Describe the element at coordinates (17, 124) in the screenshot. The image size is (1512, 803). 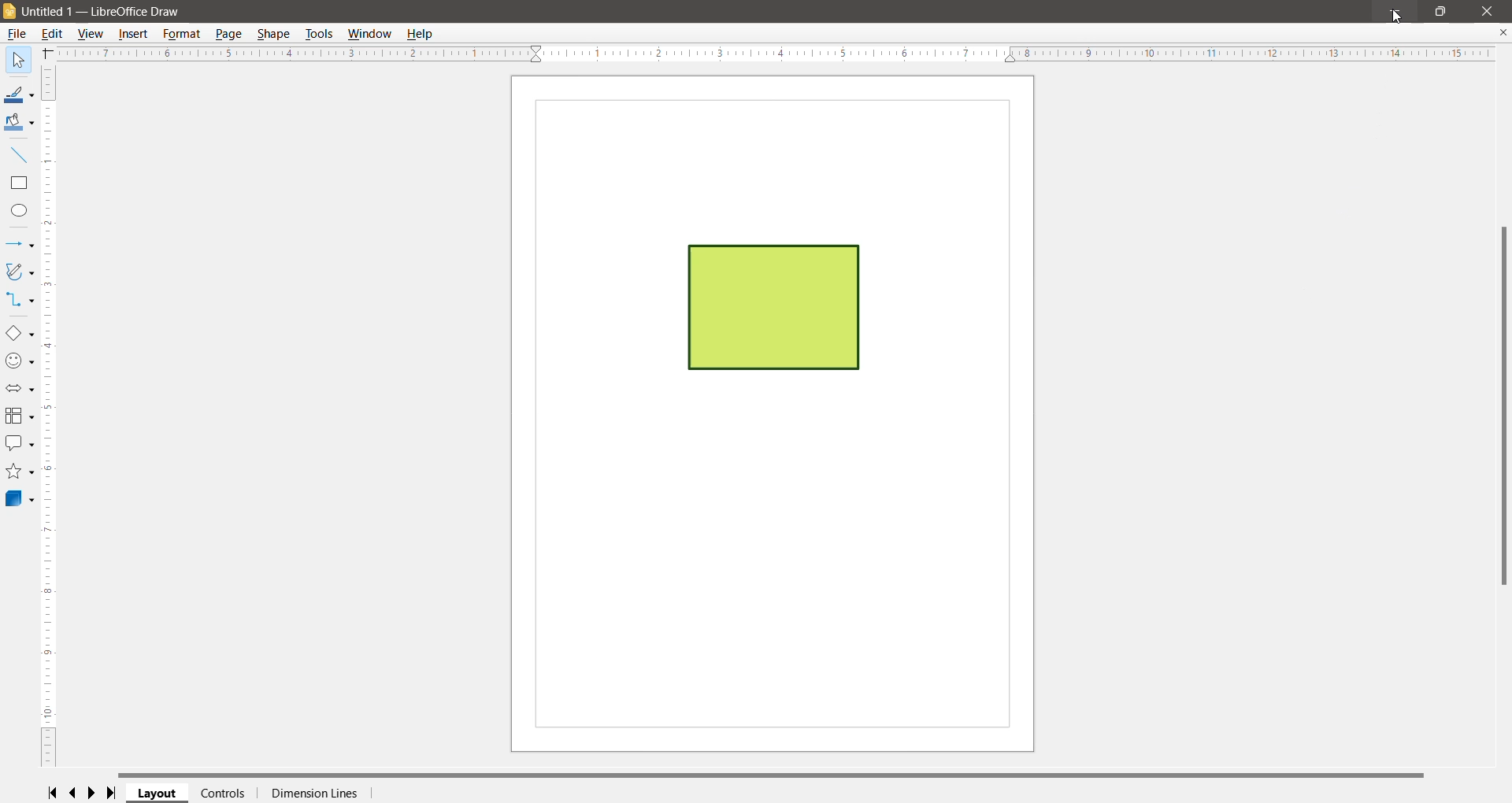
I see `Fill Color` at that location.